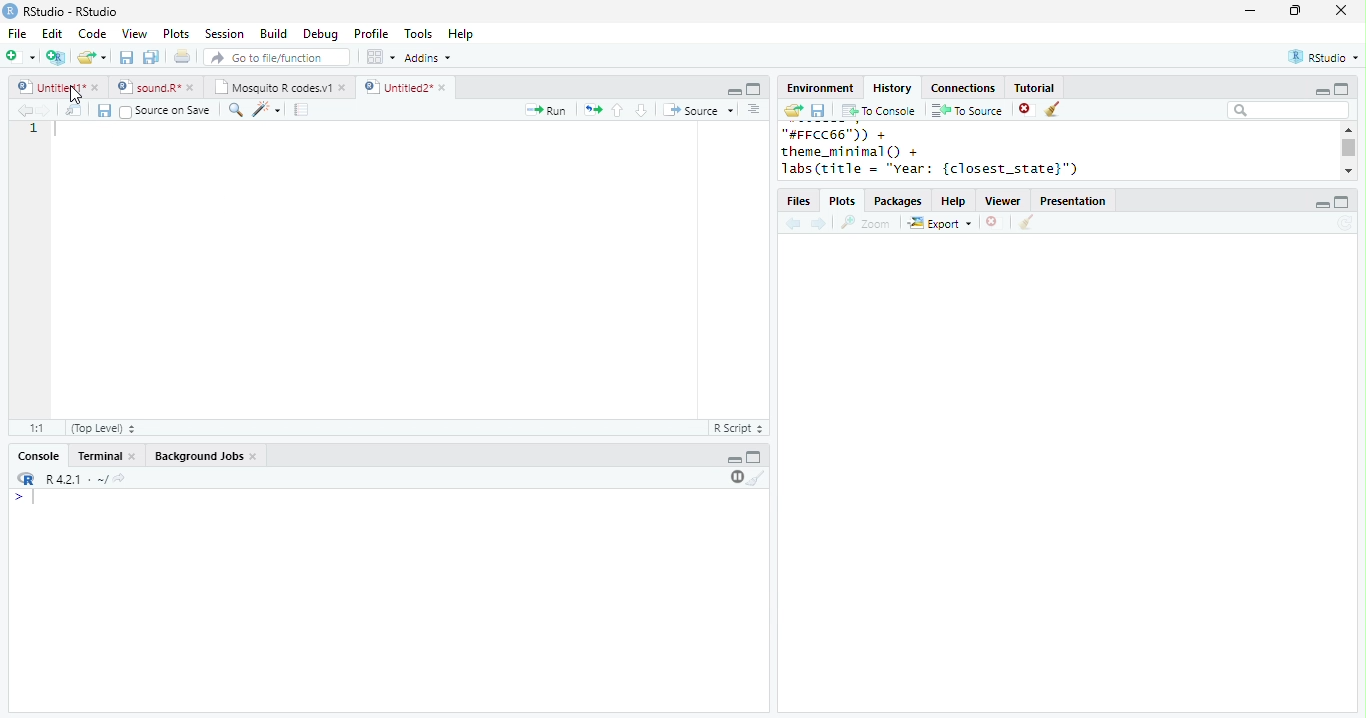  Describe the element at coordinates (1342, 202) in the screenshot. I see `maximize` at that location.